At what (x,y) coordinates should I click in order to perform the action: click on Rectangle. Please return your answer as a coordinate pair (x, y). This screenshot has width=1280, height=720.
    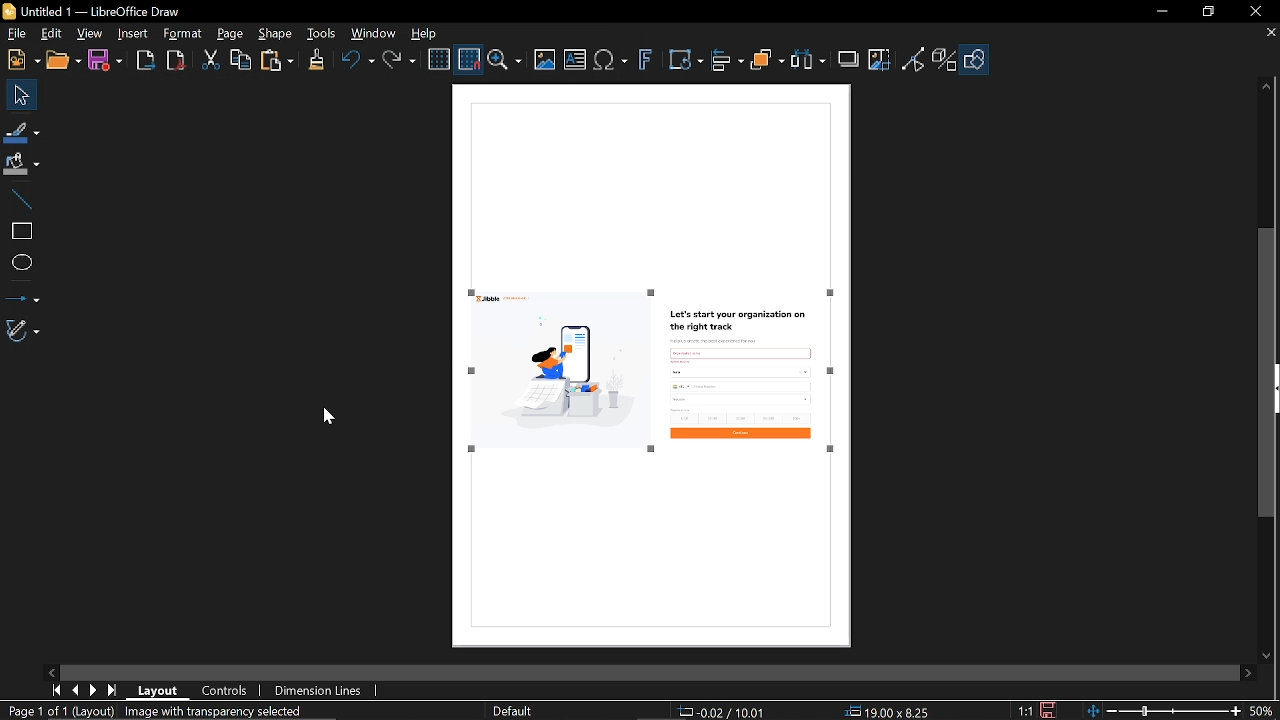
    Looking at the image, I should click on (18, 227).